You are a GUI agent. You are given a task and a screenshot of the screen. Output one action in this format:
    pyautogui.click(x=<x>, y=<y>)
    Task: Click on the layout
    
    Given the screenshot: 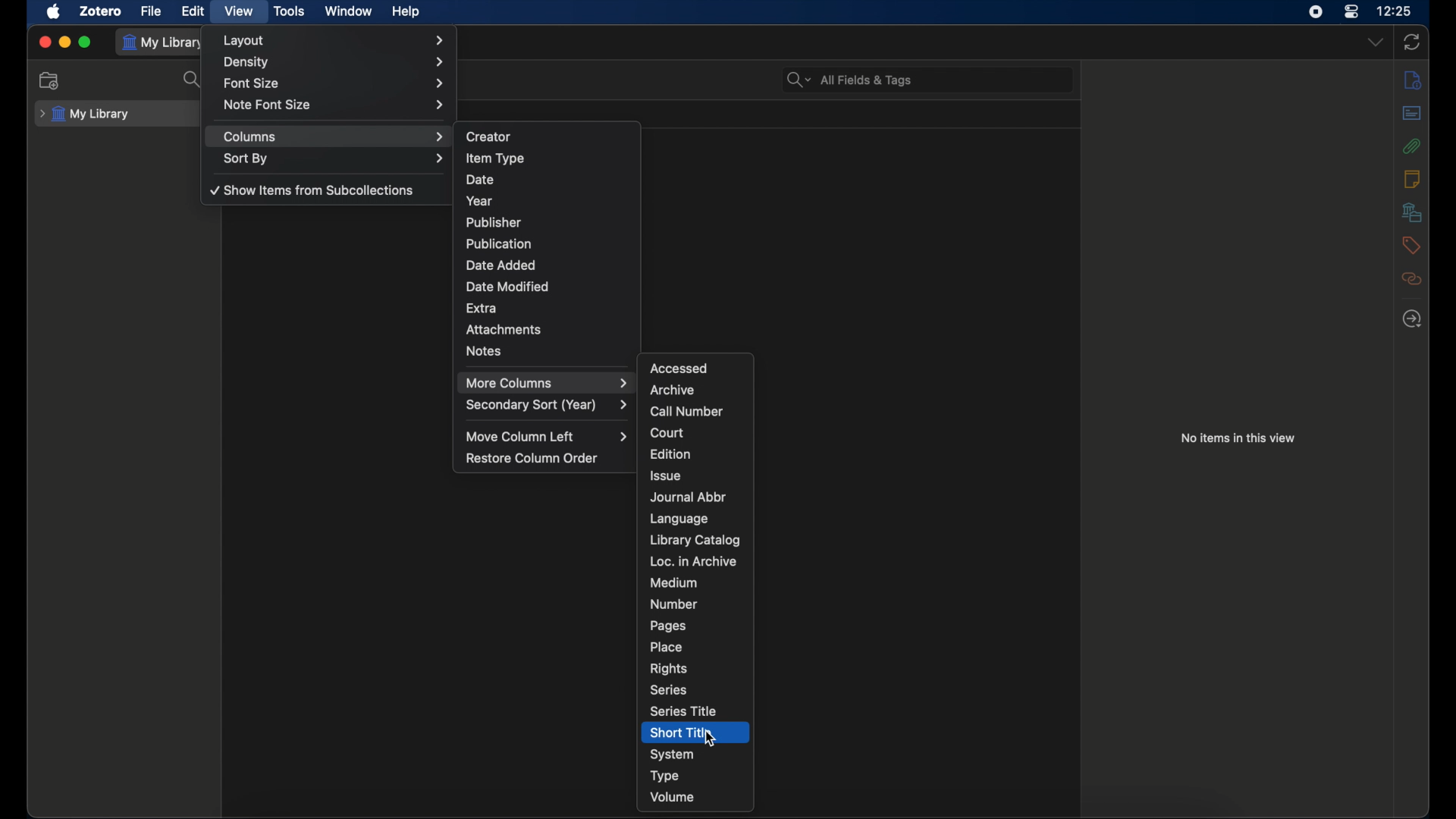 What is the action you would take?
    pyautogui.click(x=333, y=40)
    